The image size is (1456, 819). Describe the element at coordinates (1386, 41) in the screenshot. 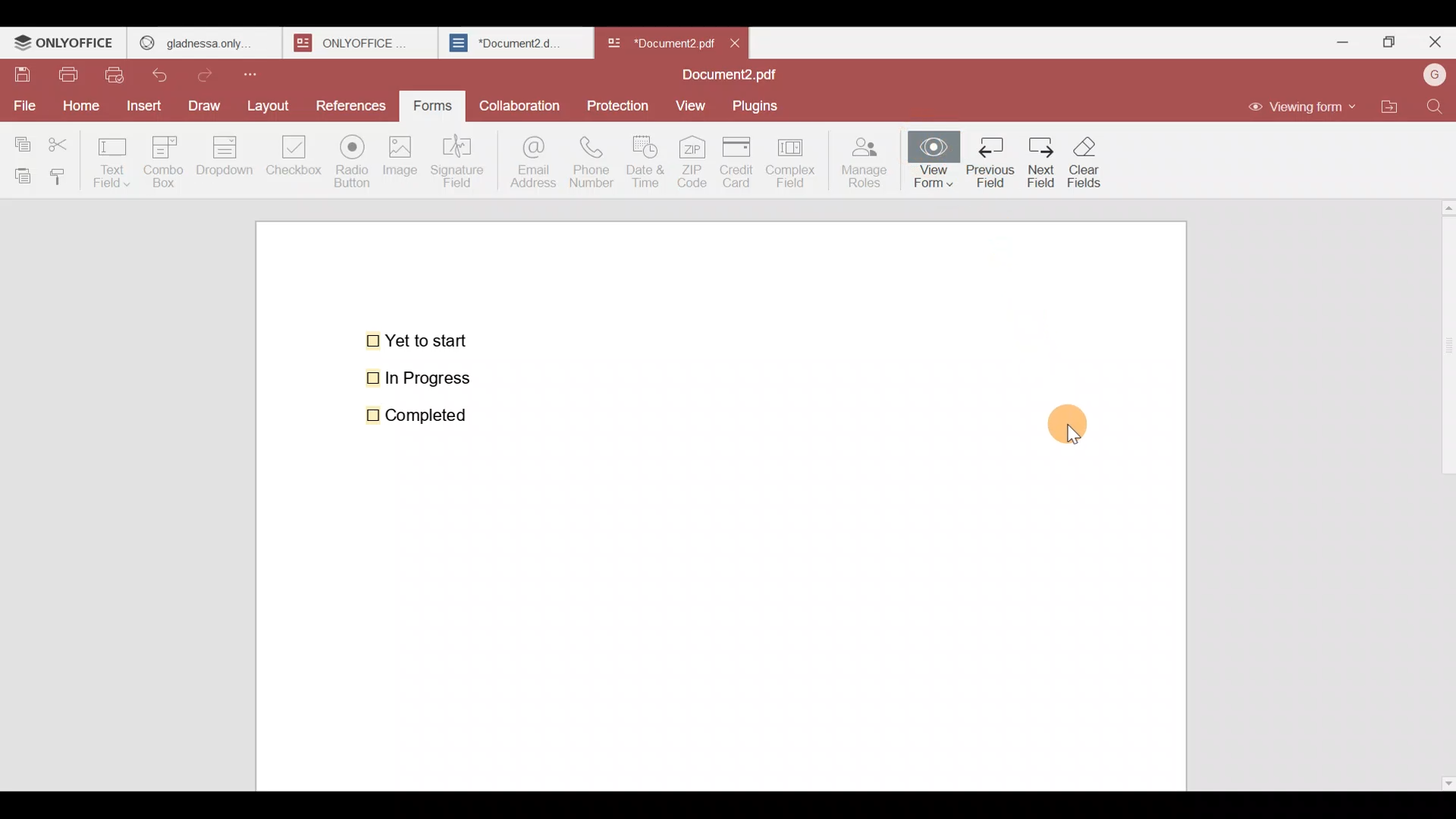

I see `Maximize` at that location.